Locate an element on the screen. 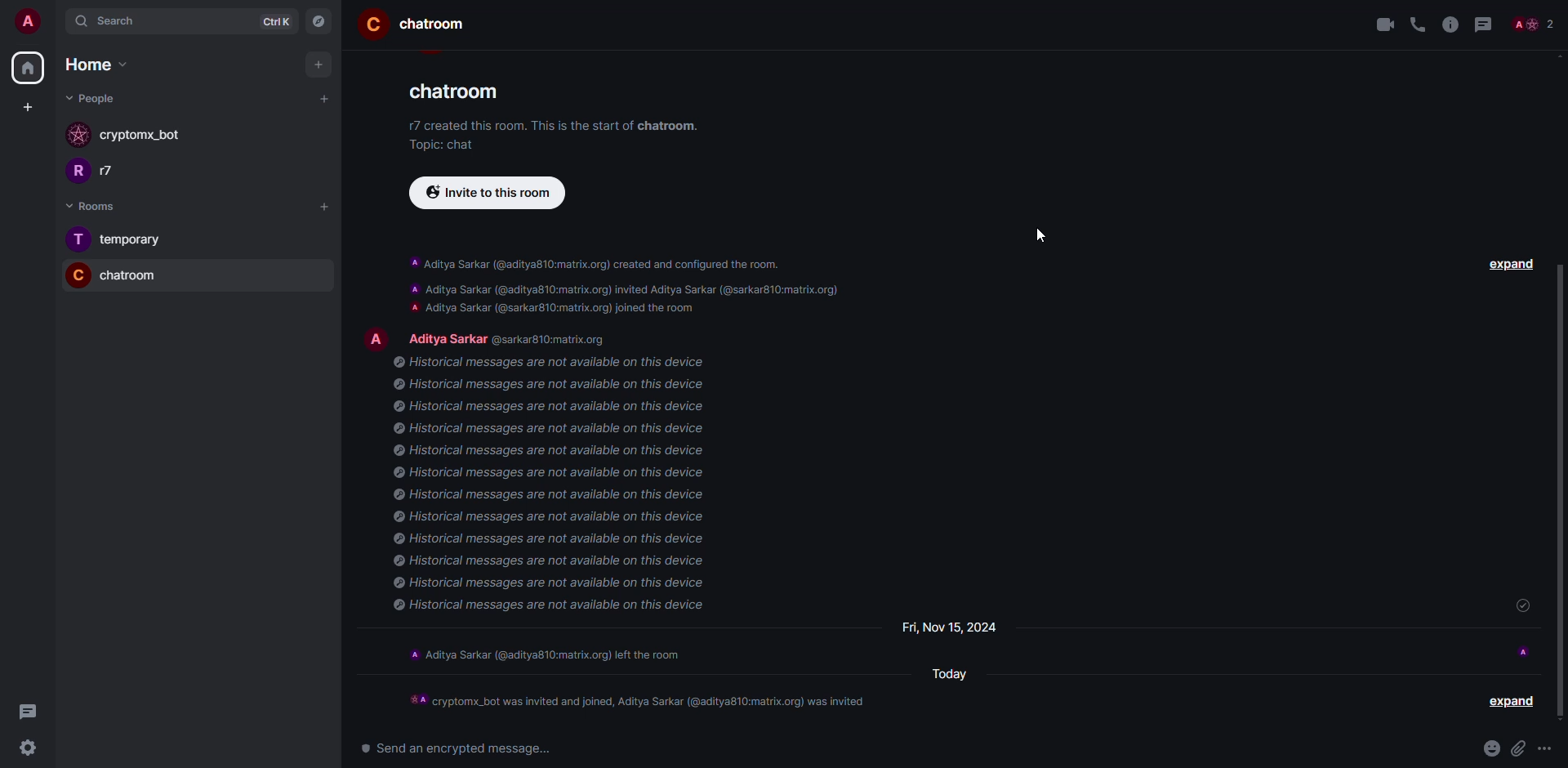  topic chat is located at coordinates (444, 145).